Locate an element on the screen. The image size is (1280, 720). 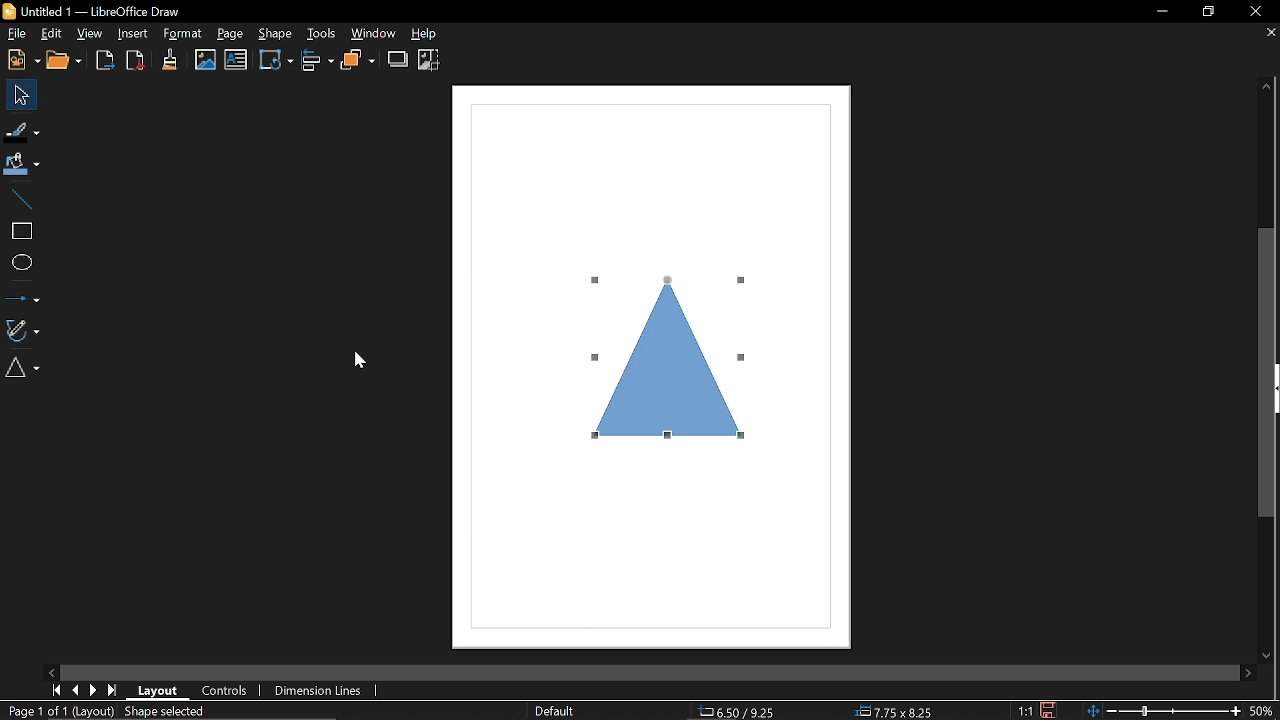
Format is located at coordinates (182, 34).